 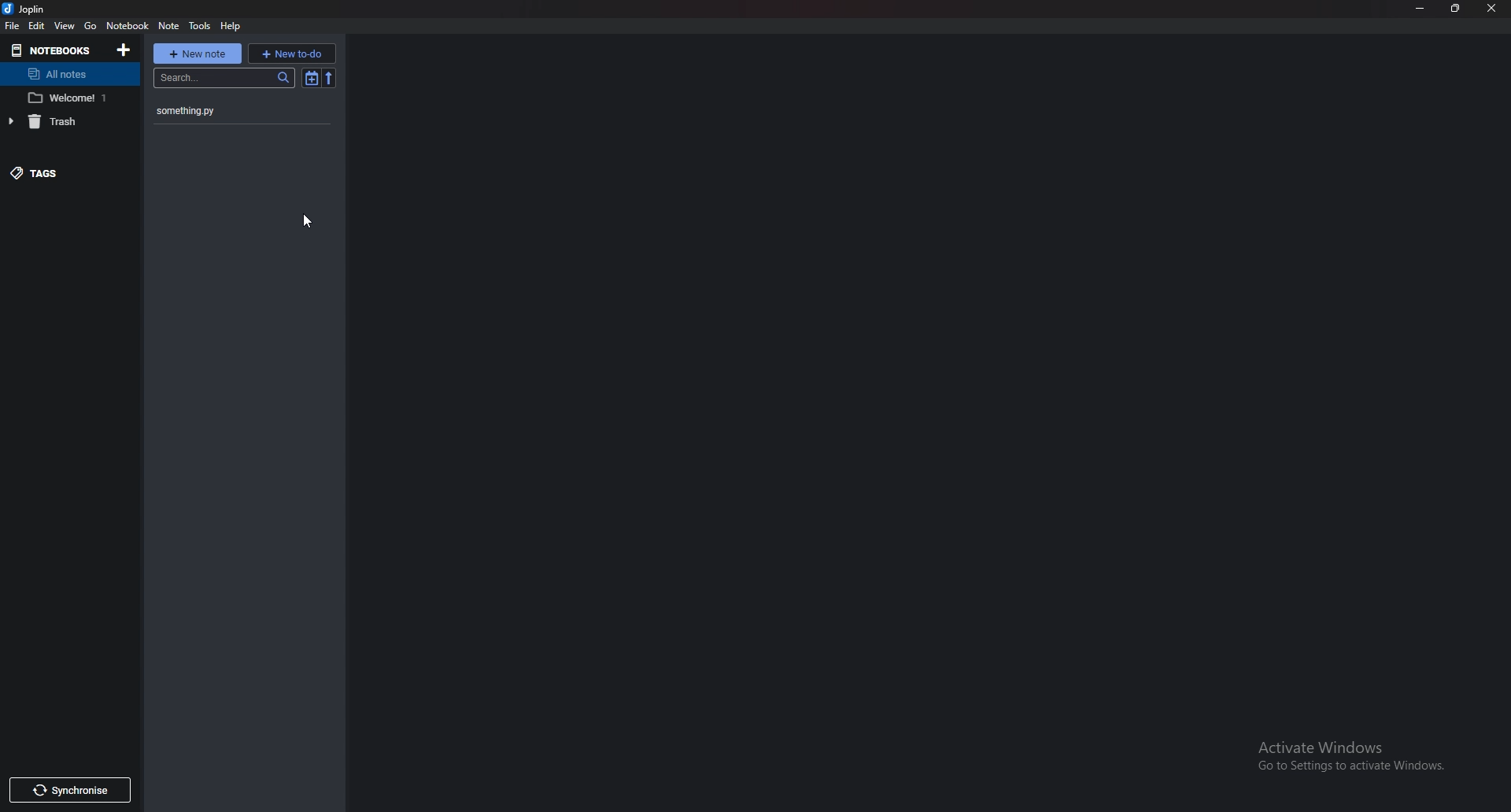 What do you see at coordinates (54, 174) in the screenshot?
I see `Tags` at bounding box center [54, 174].